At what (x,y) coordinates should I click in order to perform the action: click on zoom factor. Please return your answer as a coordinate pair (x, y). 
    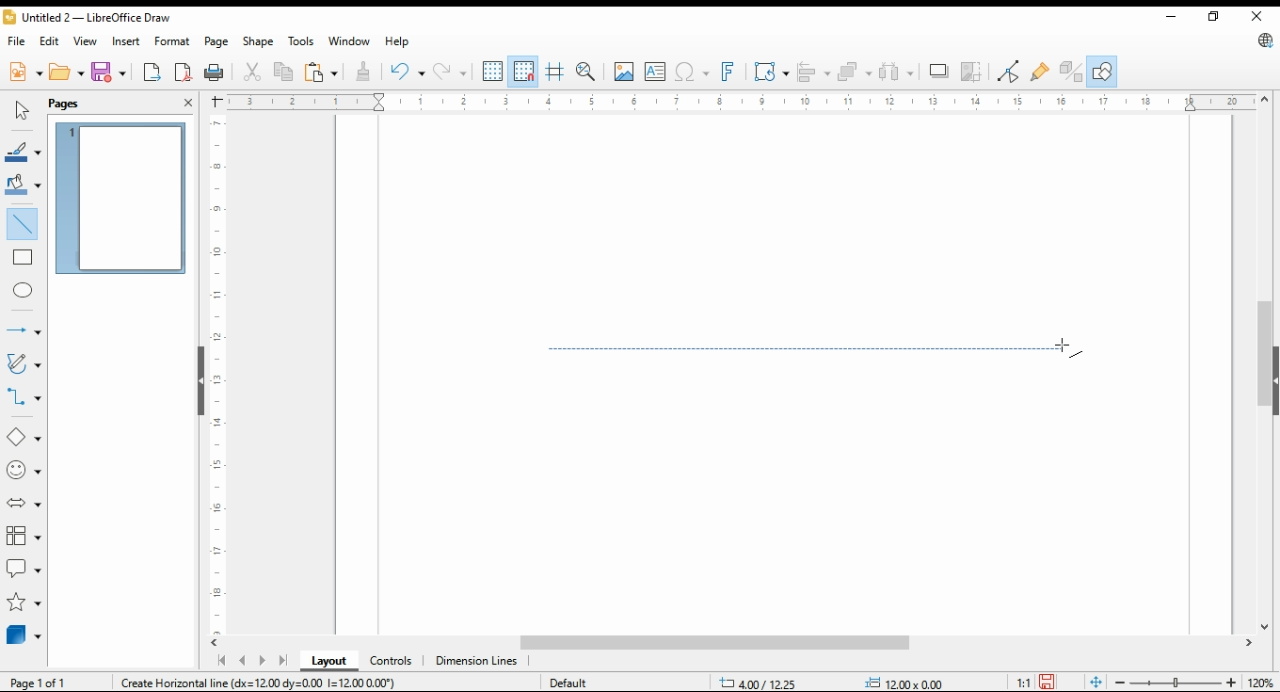
    Looking at the image, I should click on (1262, 683).